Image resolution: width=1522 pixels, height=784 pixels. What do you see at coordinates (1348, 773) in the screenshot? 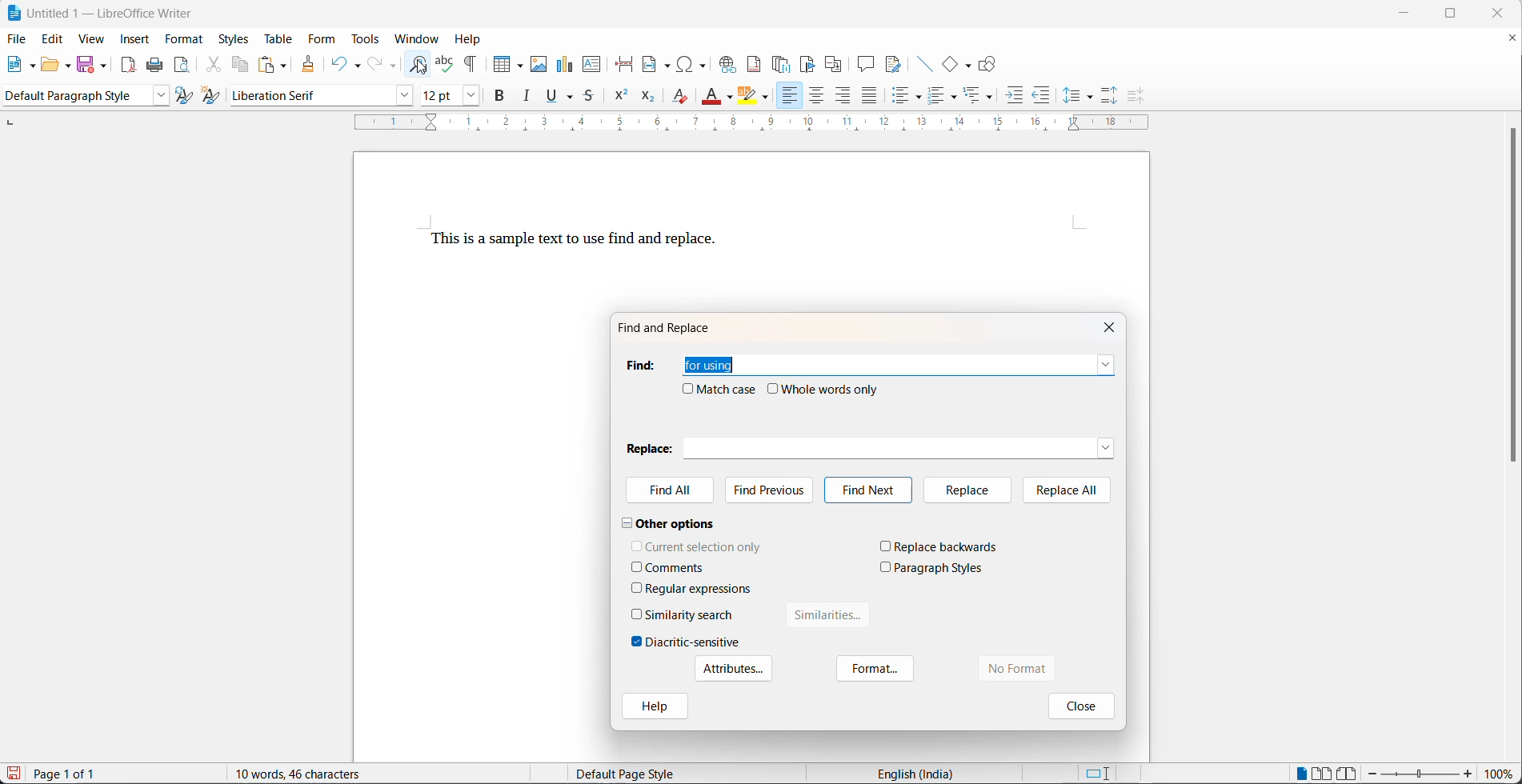
I see `book view` at bounding box center [1348, 773].